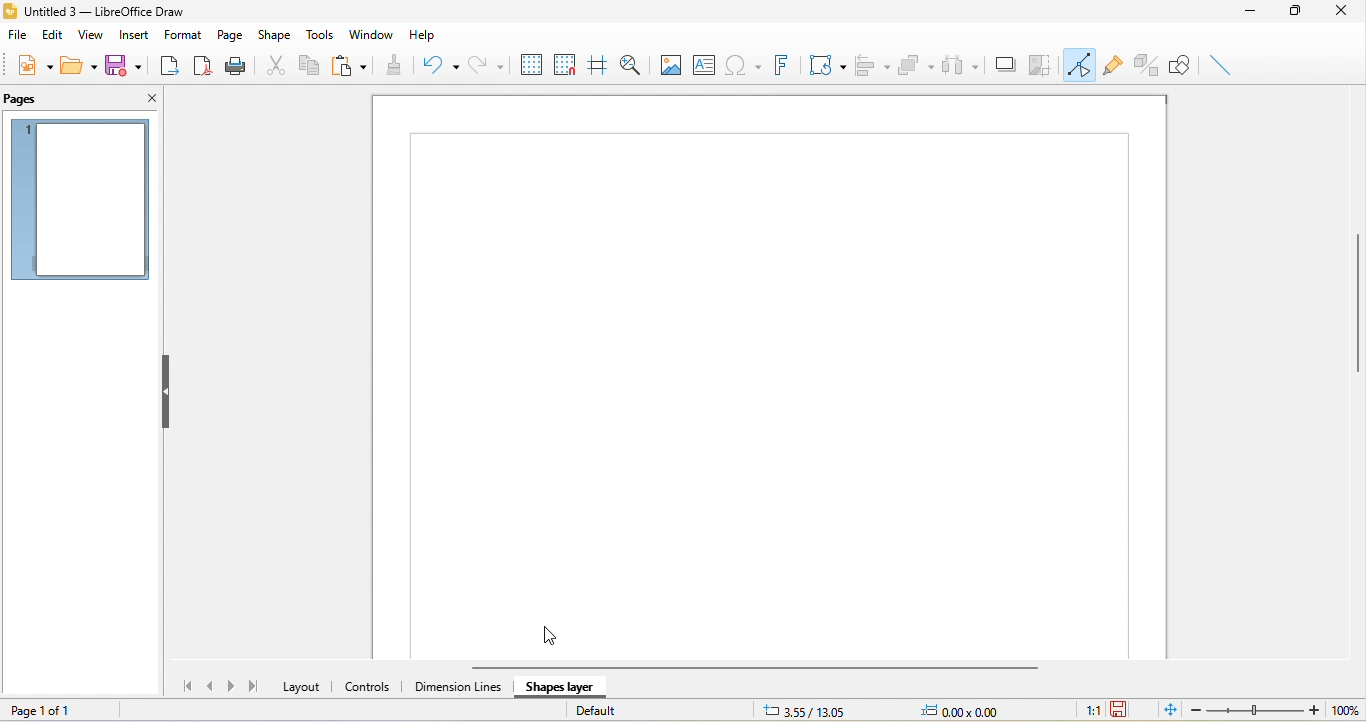 The height and width of the screenshot is (722, 1366). I want to click on edit, so click(53, 37).